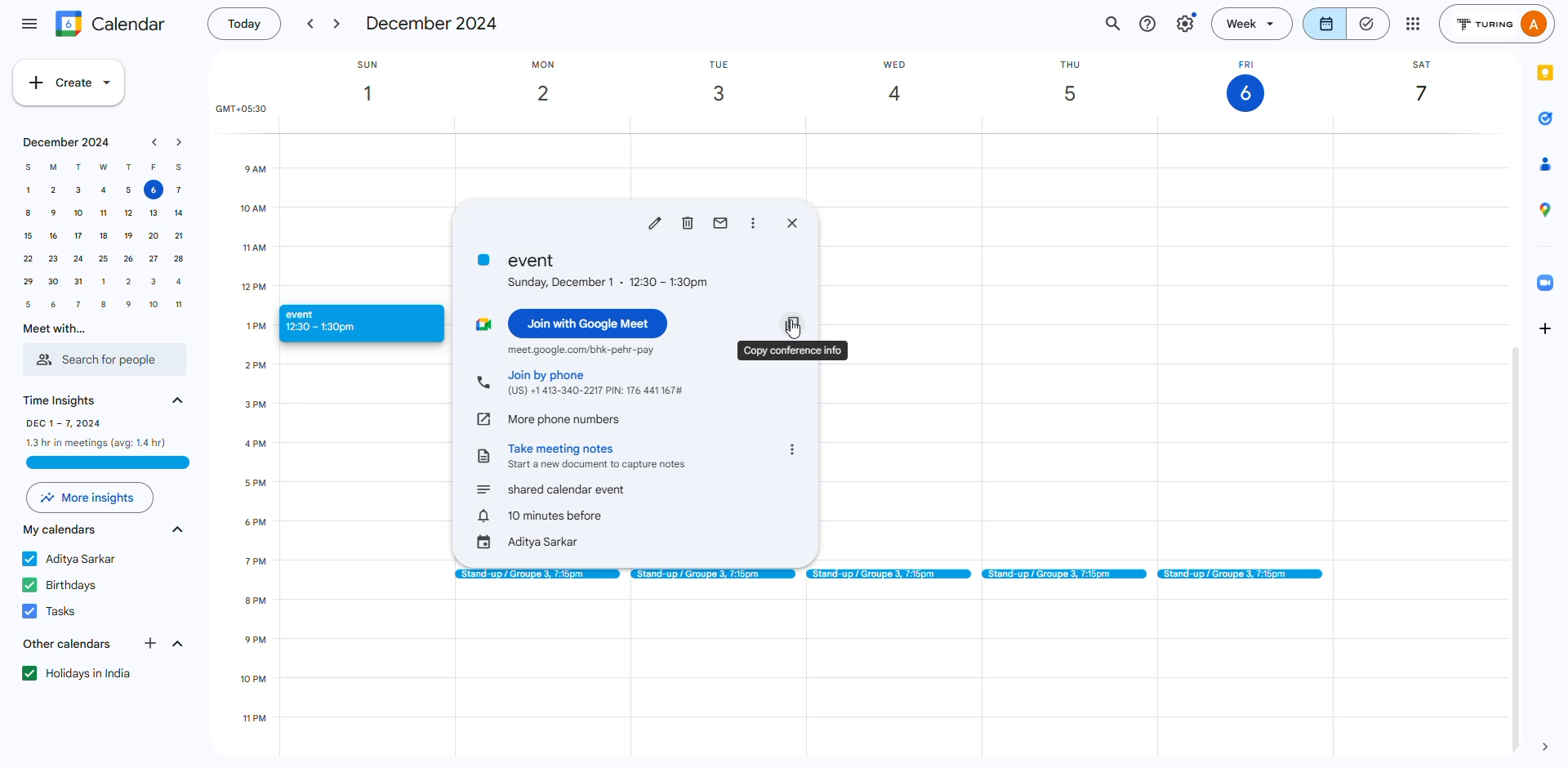 This screenshot has height=768, width=1568. What do you see at coordinates (180, 282) in the screenshot?
I see `4` at bounding box center [180, 282].